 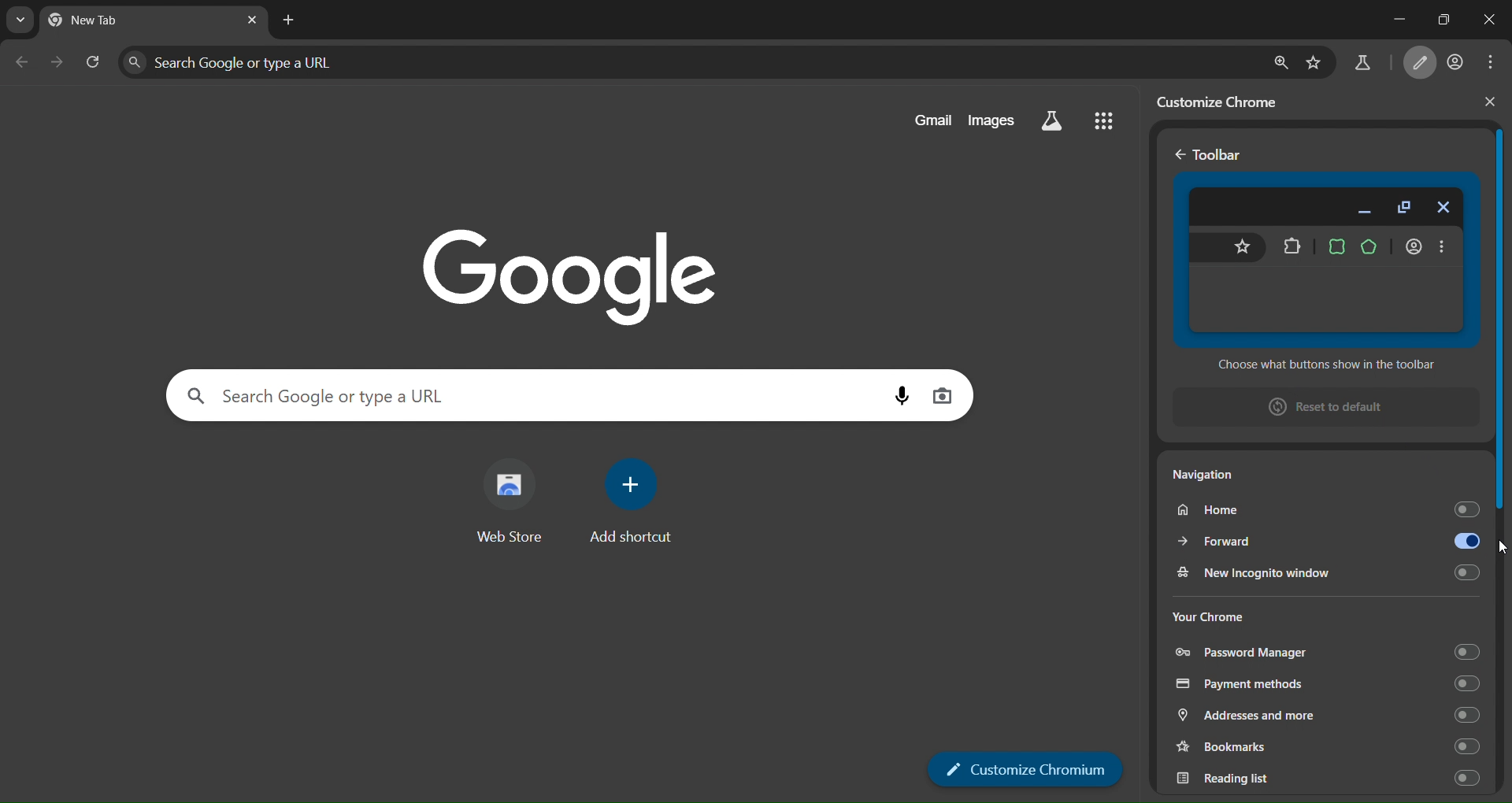 What do you see at coordinates (1052, 121) in the screenshot?
I see `searrch labs` at bounding box center [1052, 121].